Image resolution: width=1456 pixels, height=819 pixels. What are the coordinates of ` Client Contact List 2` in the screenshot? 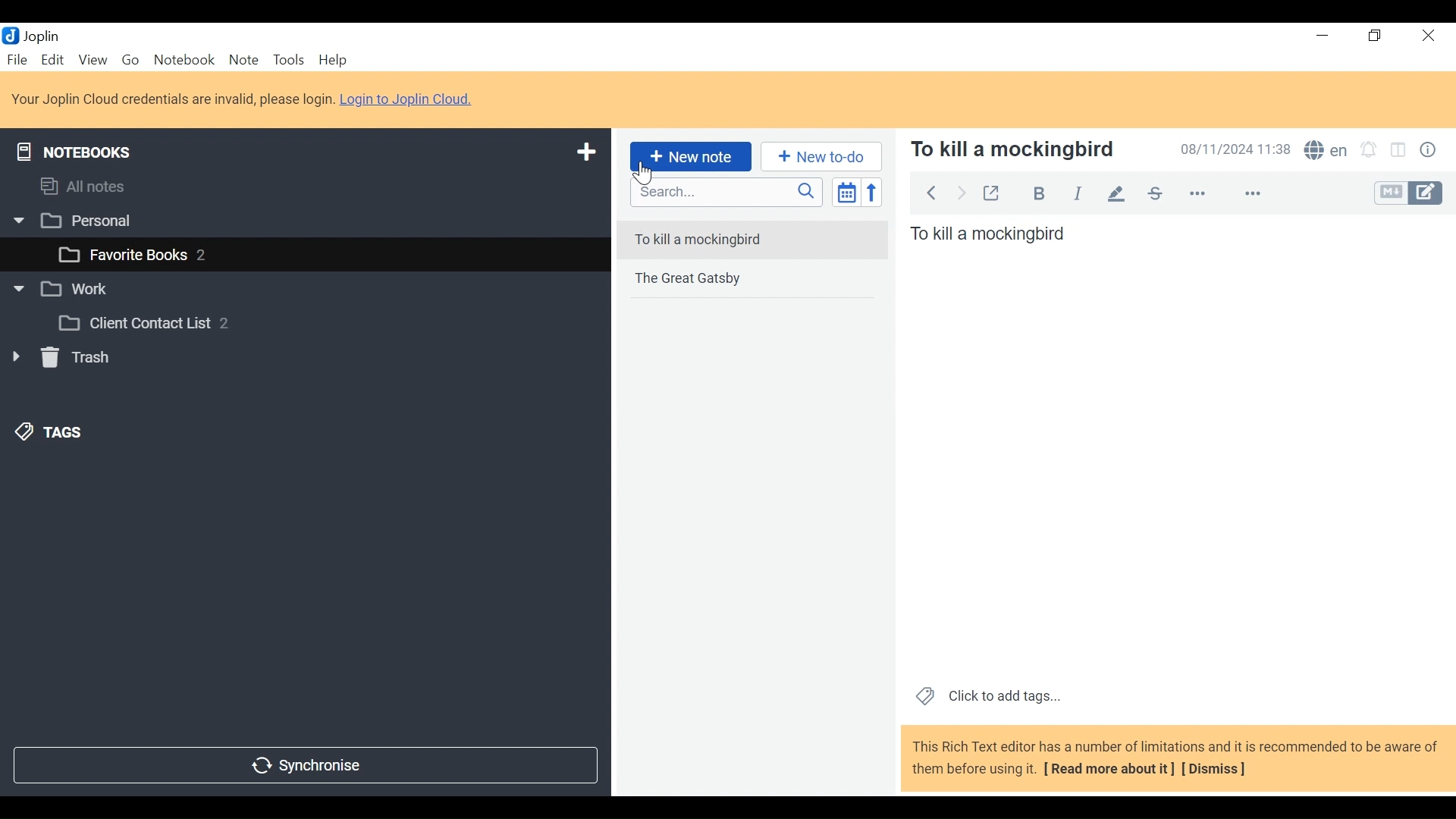 It's located at (141, 323).